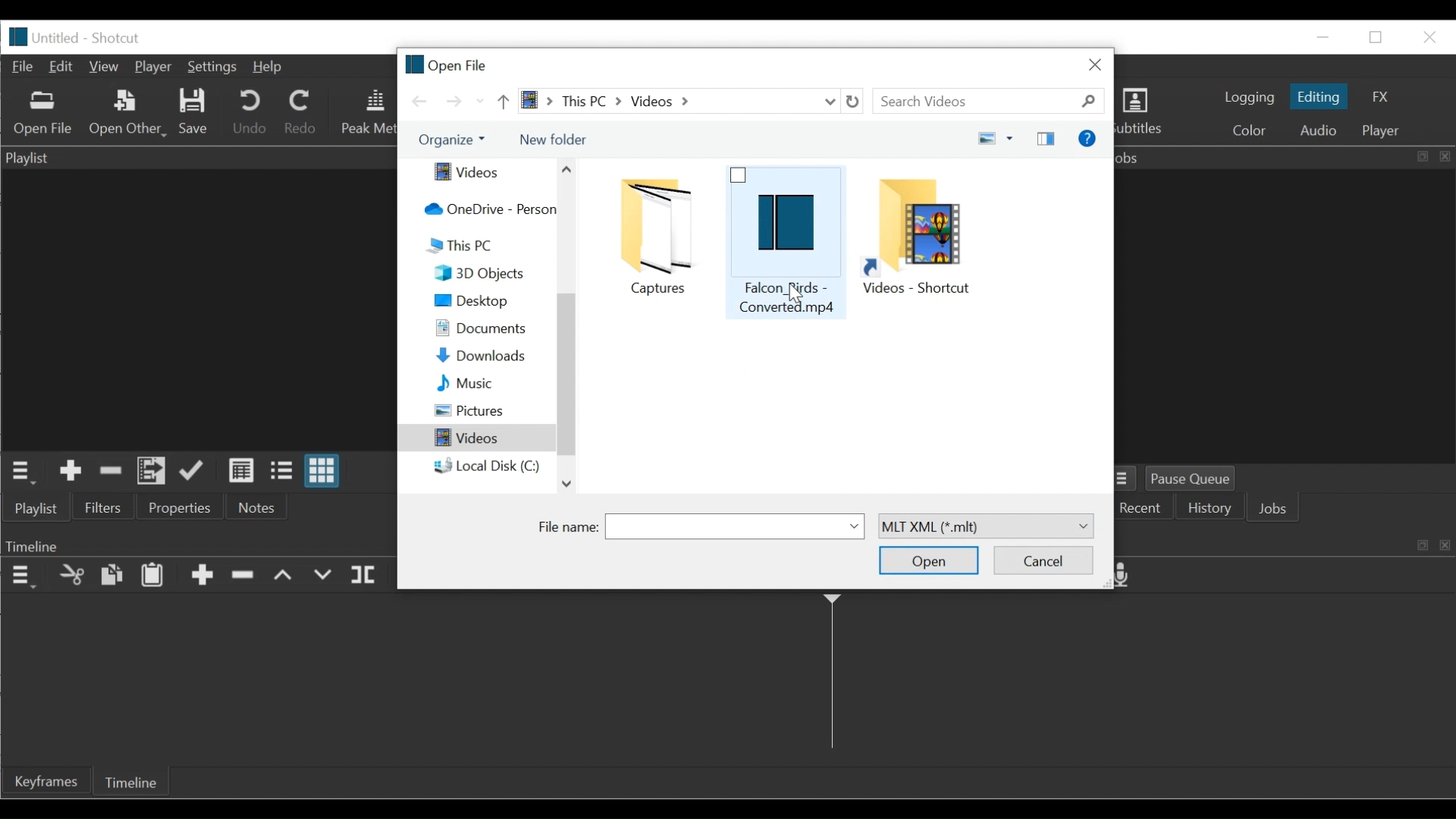 The image size is (1456, 819). I want to click on File, so click(24, 67).